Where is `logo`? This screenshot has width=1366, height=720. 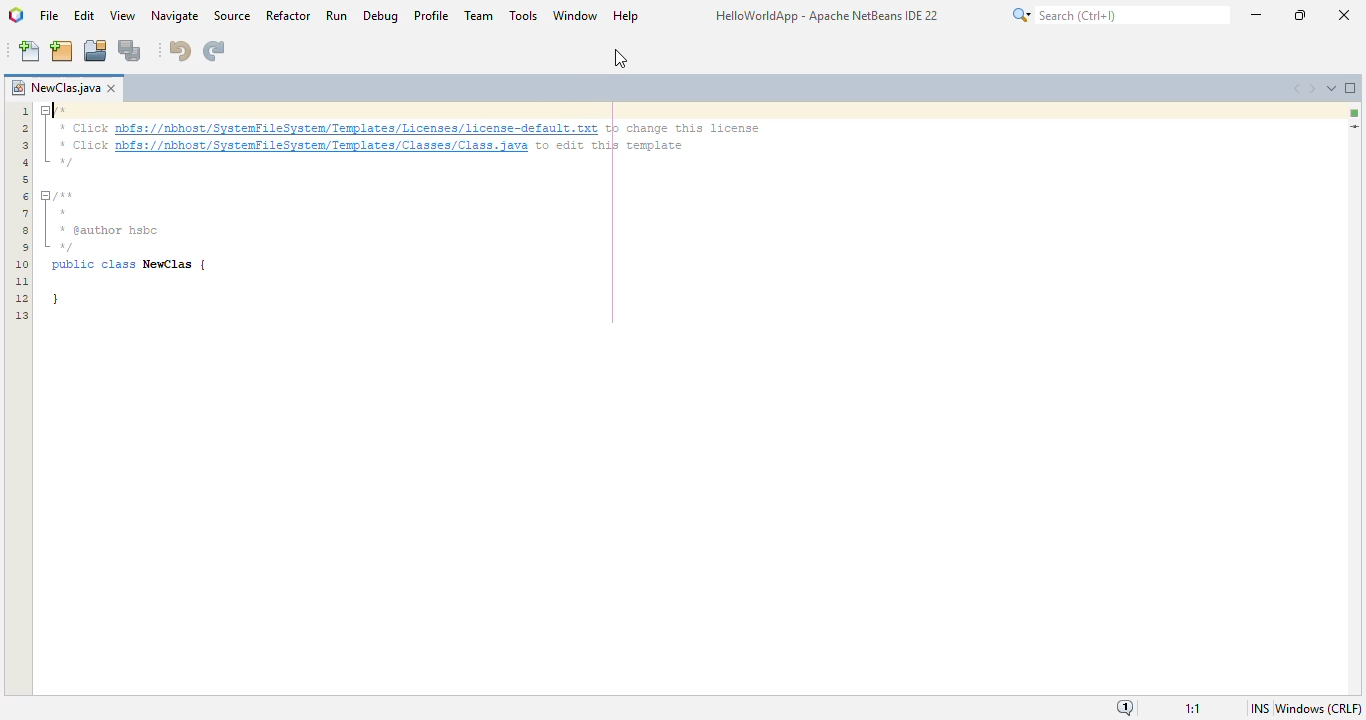
logo is located at coordinates (16, 15).